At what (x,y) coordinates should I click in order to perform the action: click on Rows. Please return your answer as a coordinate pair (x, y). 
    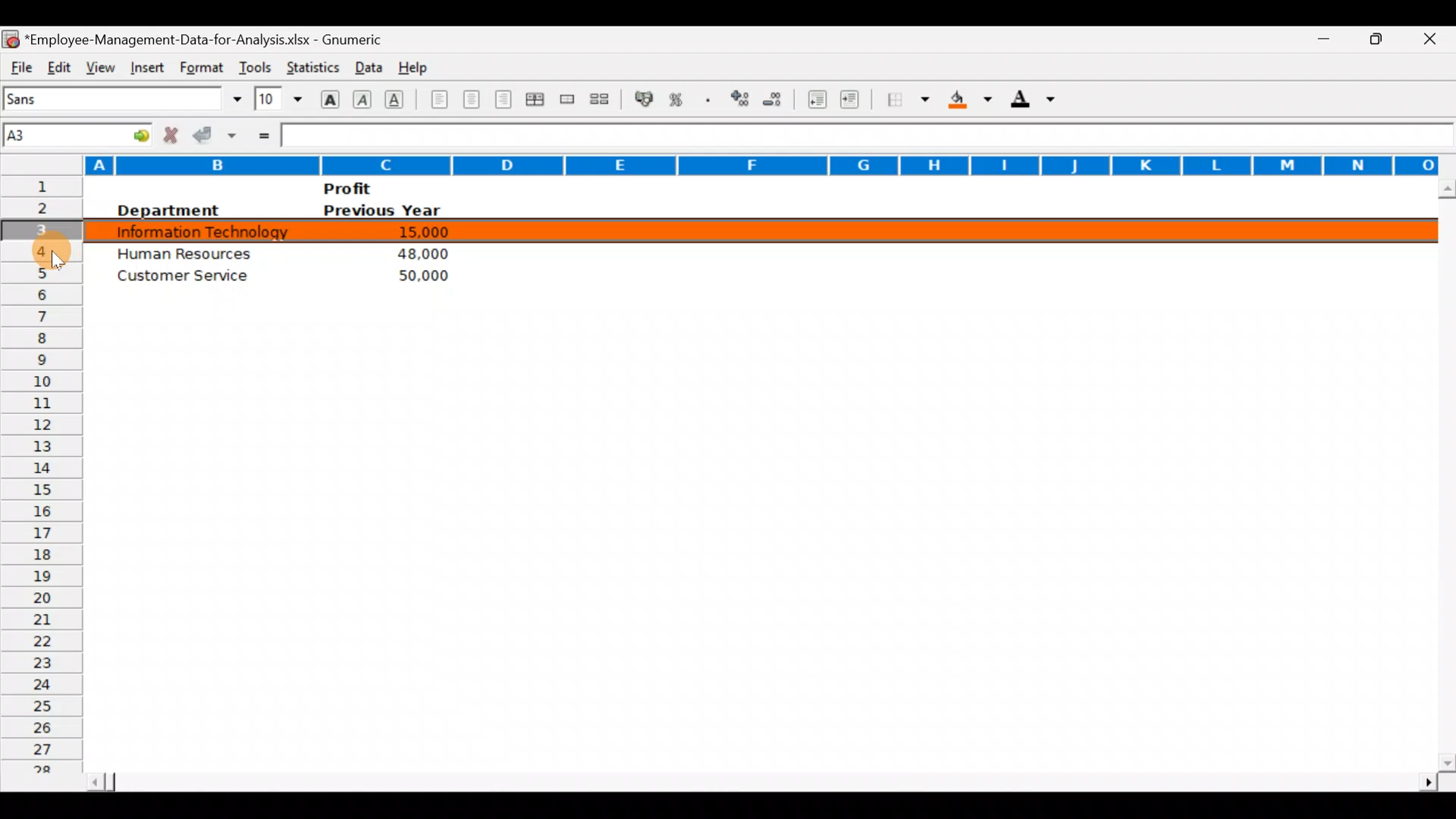
    Looking at the image, I should click on (41, 473).